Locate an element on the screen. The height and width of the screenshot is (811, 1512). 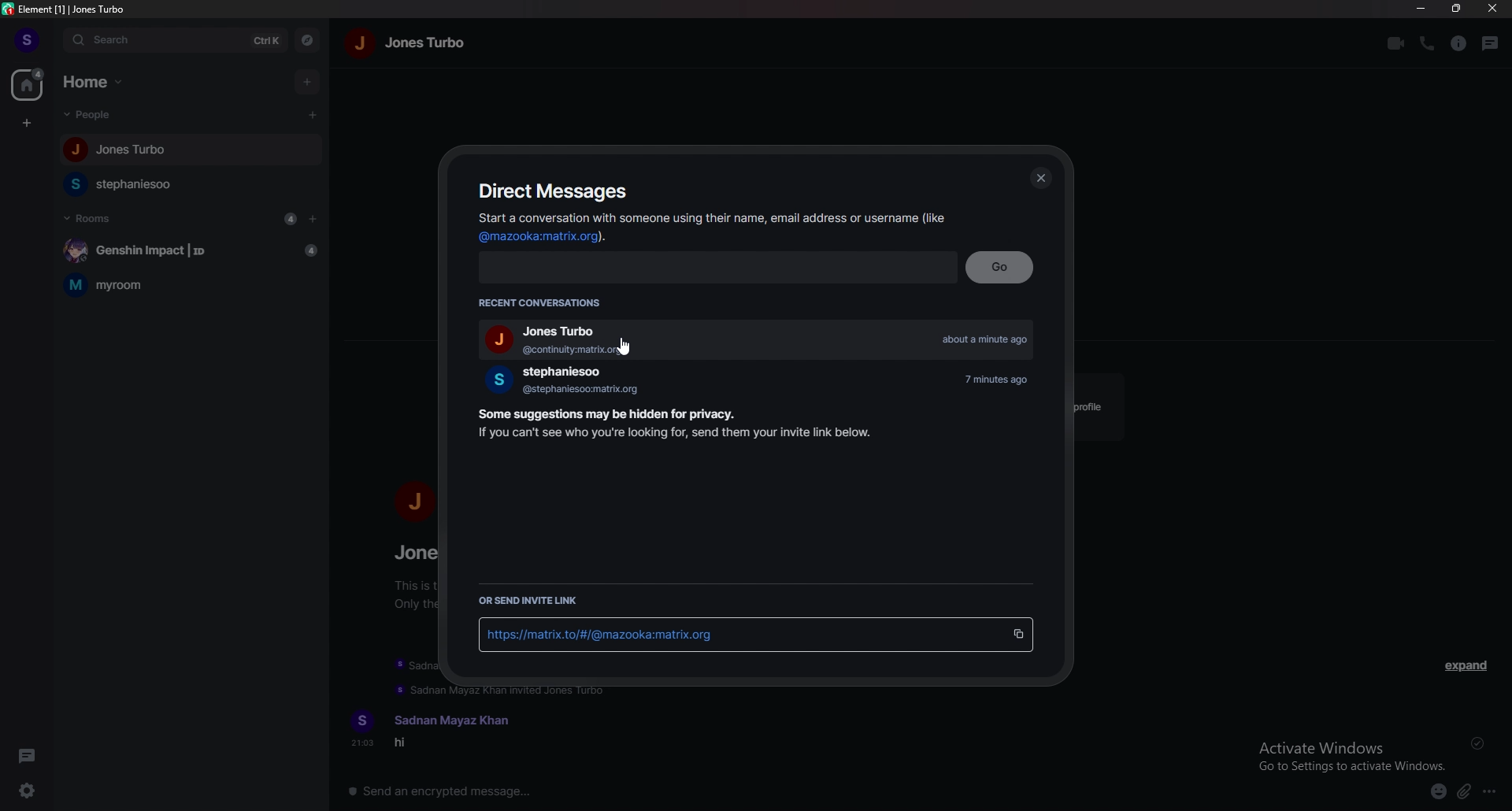
Sadnan Mayaz Khan is located at coordinates (458, 715).